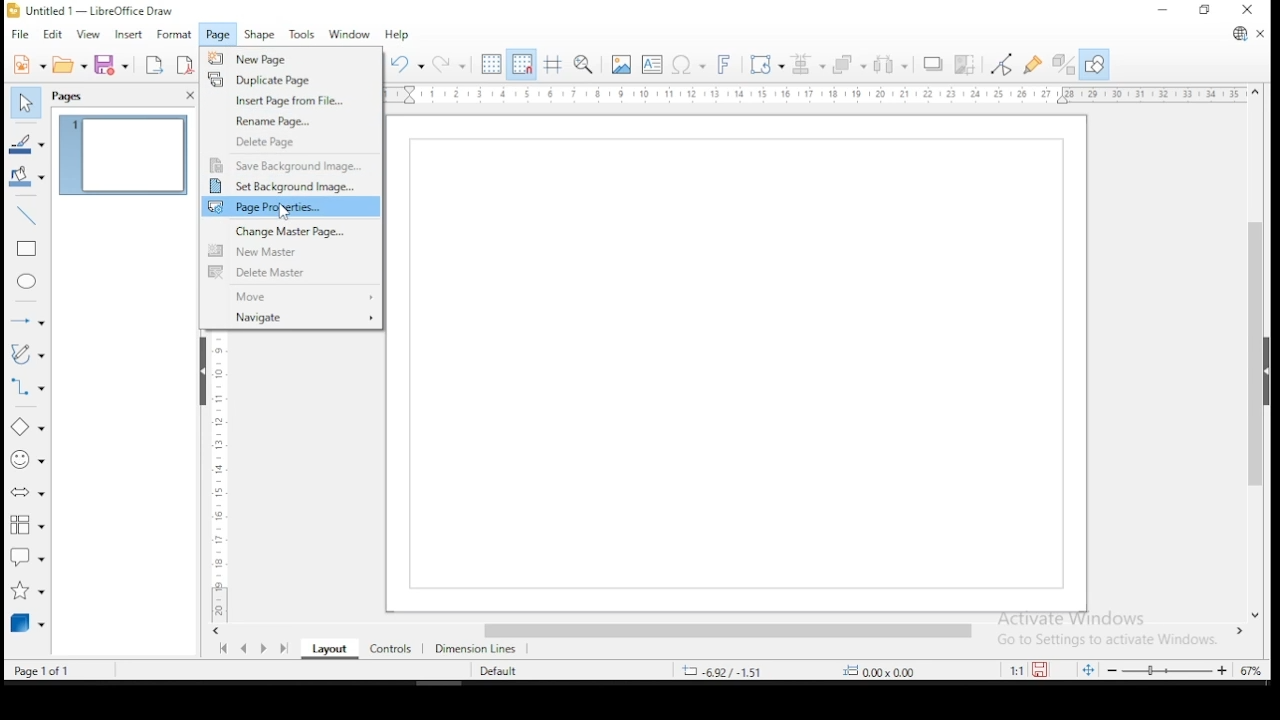  What do you see at coordinates (1004, 64) in the screenshot?
I see `toggle point edit mode` at bounding box center [1004, 64].